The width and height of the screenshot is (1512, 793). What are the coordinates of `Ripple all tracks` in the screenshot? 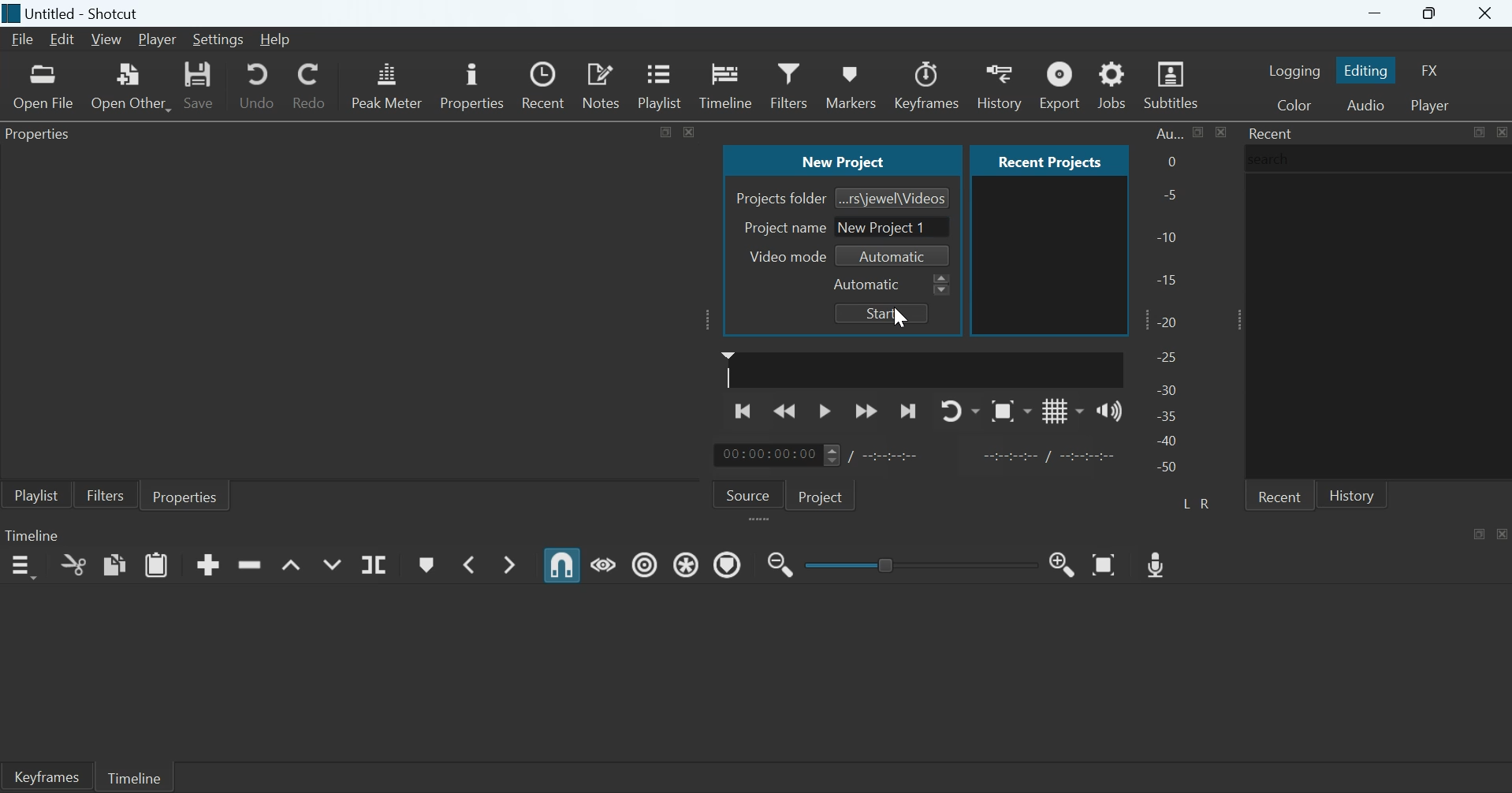 It's located at (688, 563).